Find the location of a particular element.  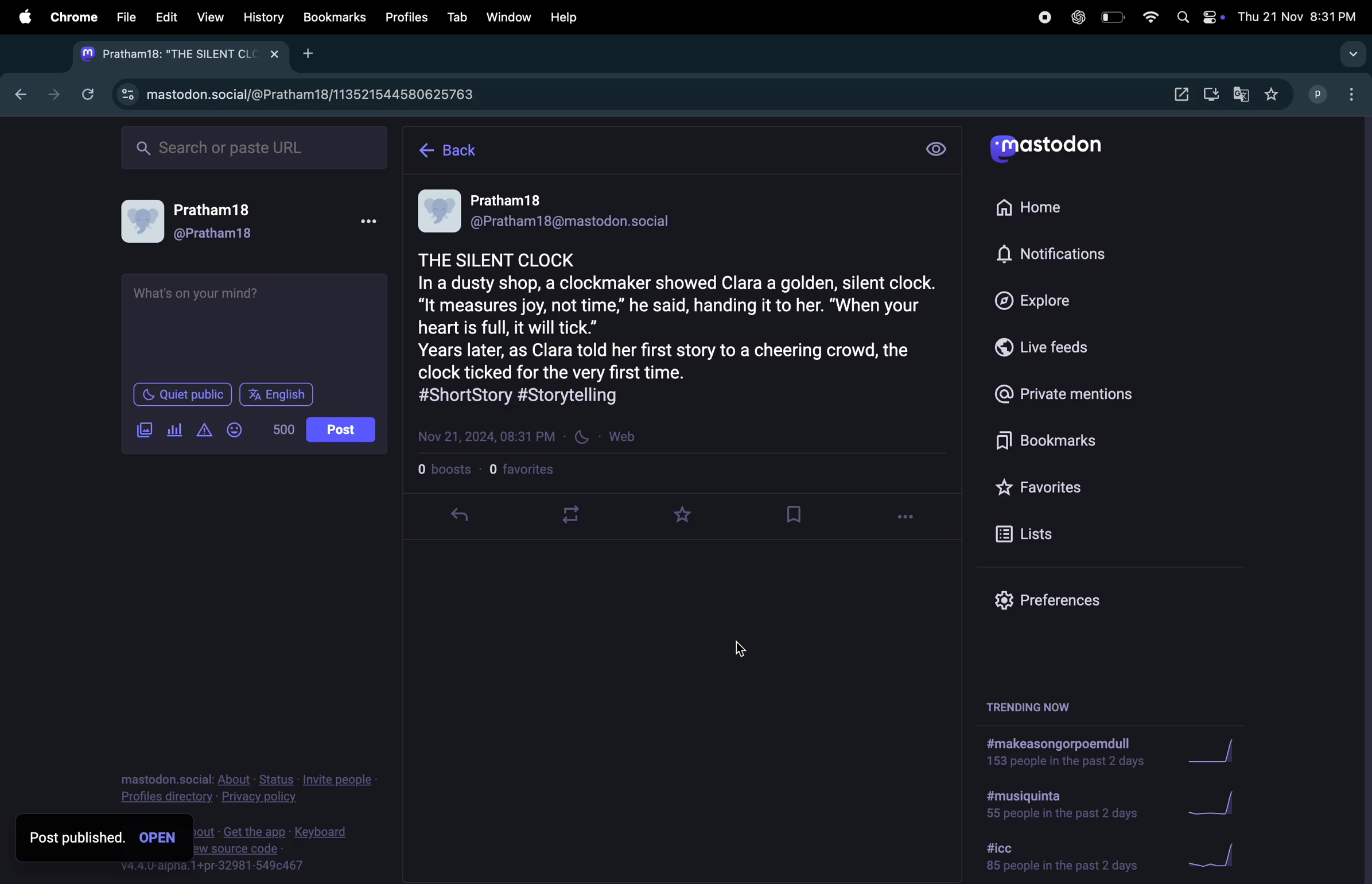

history is located at coordinates (261, 17).